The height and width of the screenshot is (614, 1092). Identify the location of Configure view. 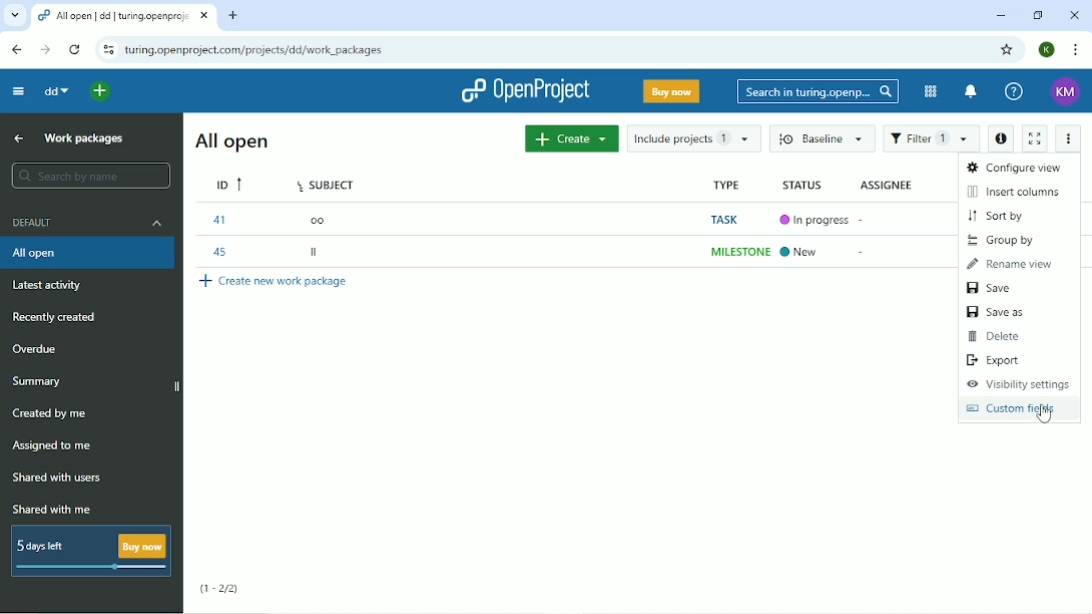
(1013, 166).